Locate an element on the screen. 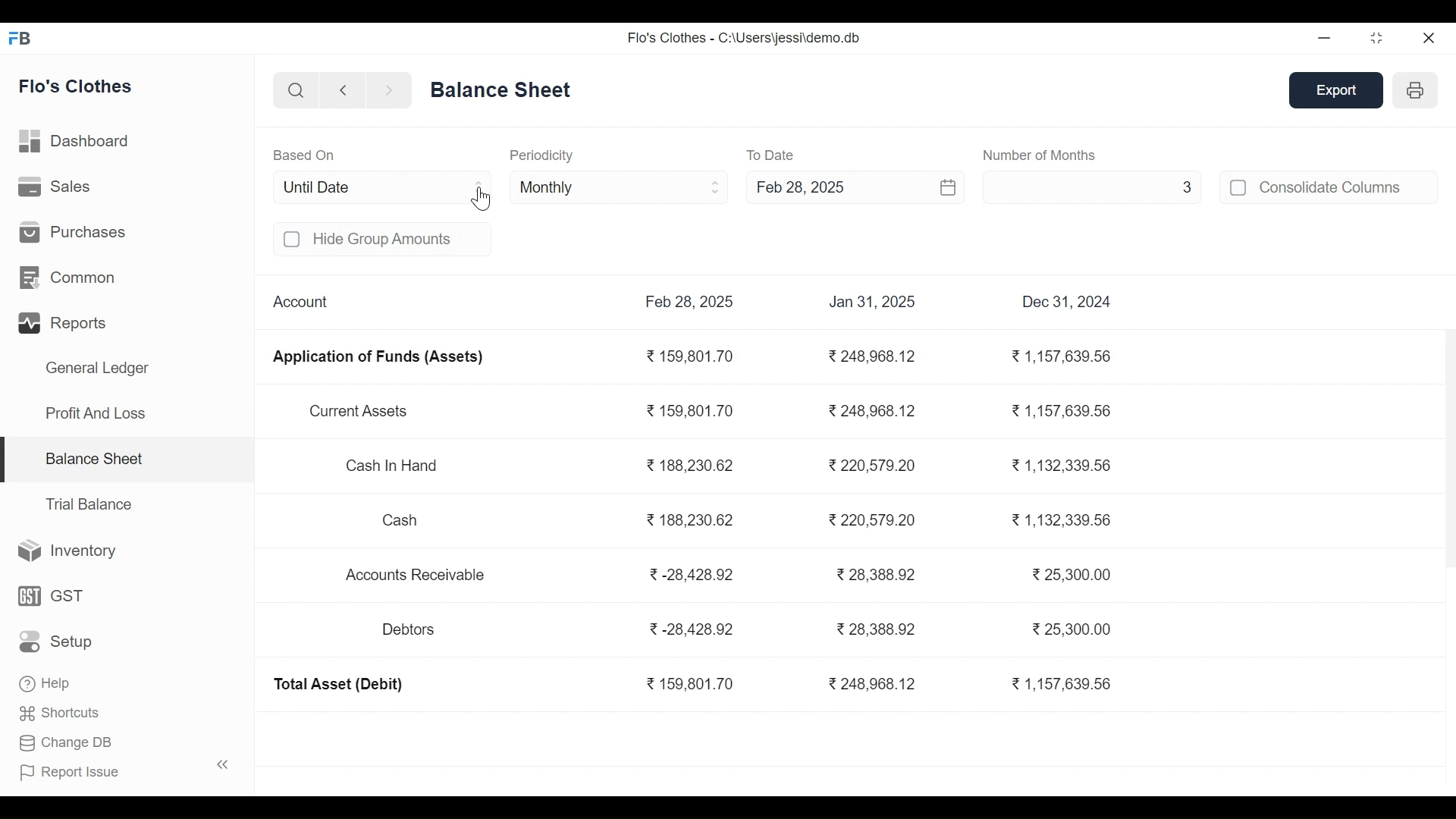 The height and width of the screenshot is (819, 1456). Shortcuts is located at coordinates (61, 711).